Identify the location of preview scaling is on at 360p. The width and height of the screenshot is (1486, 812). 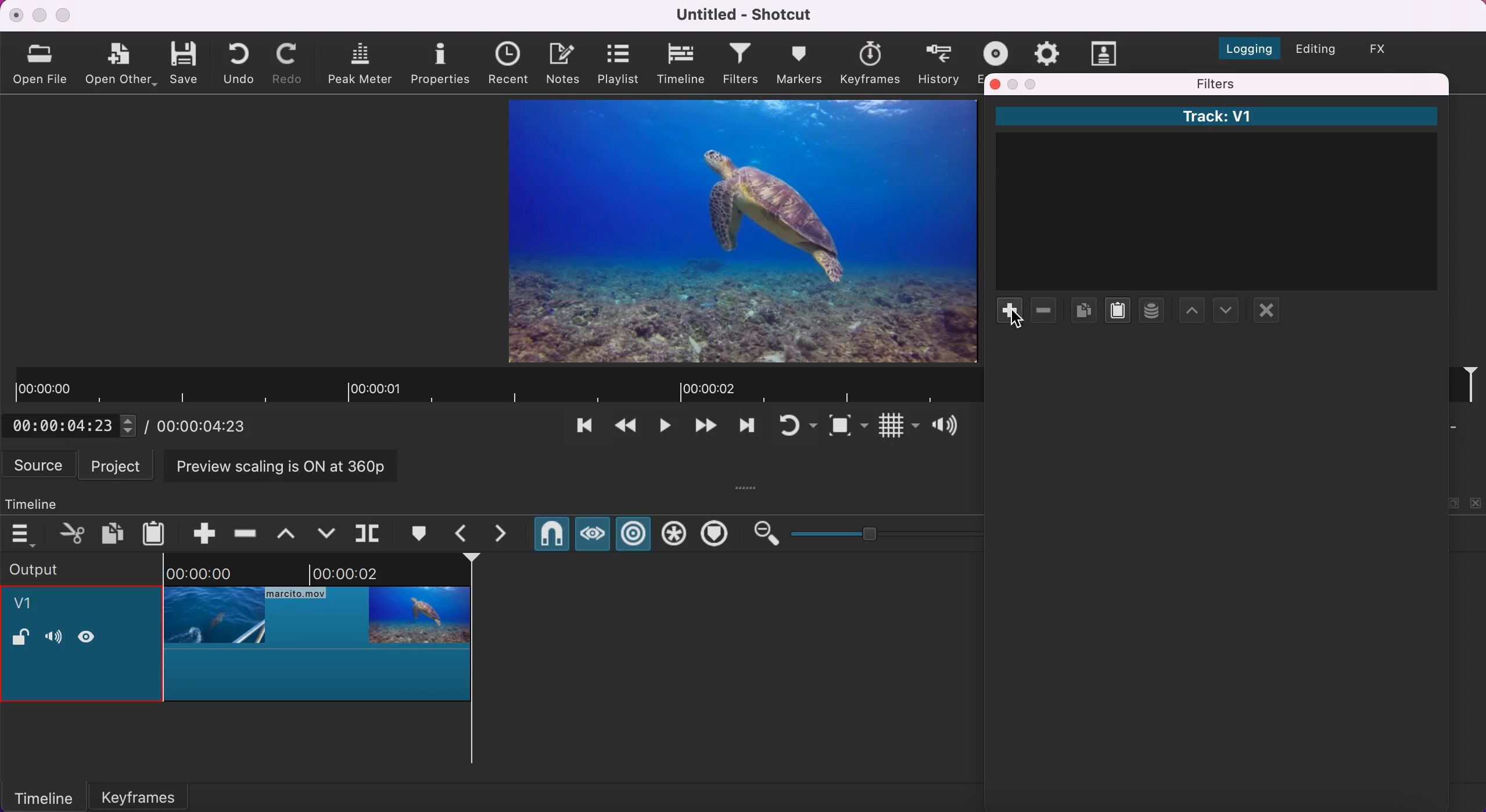
(288, 465).